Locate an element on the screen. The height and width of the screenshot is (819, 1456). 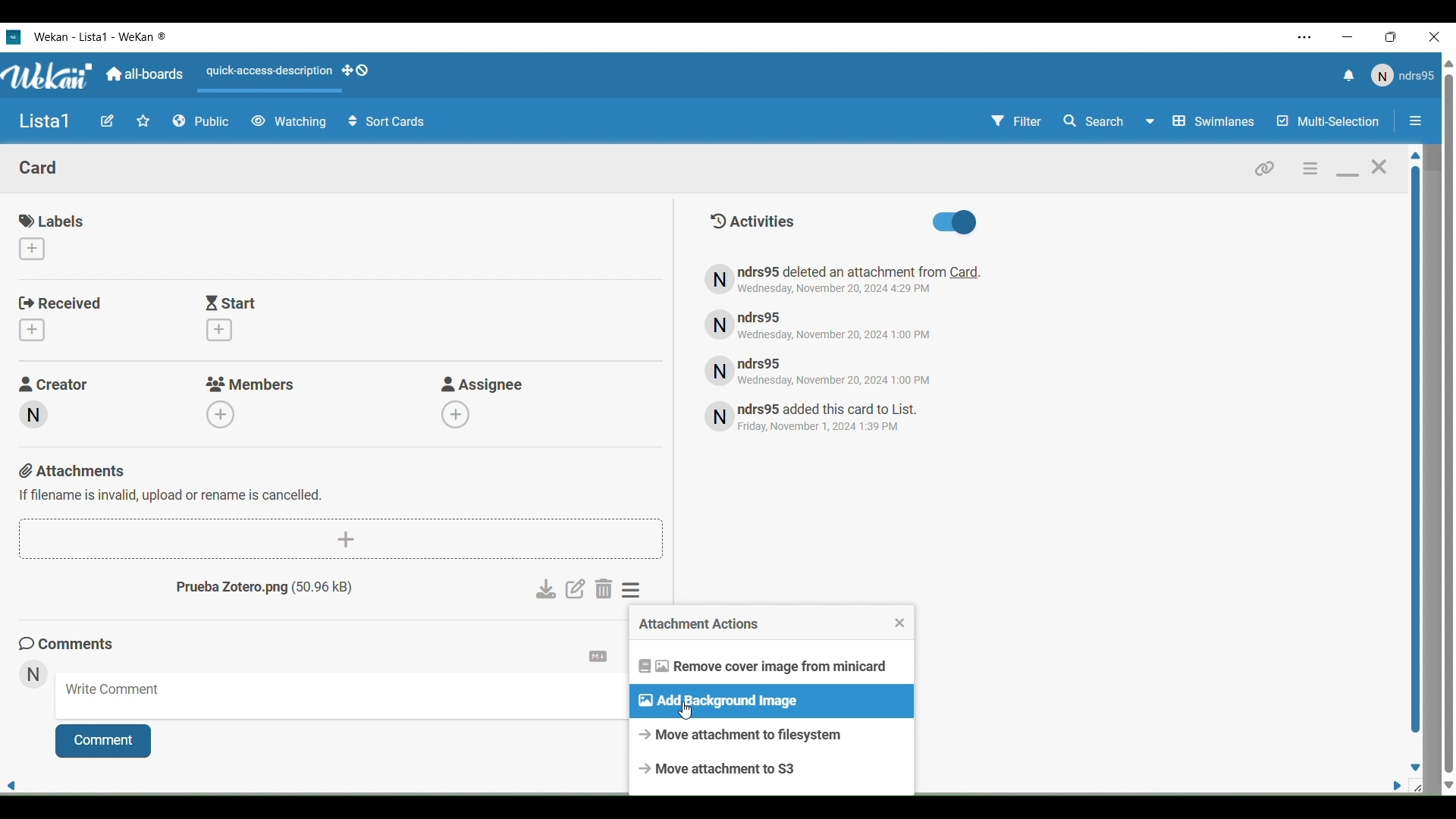
Sort Cells is located at coordinates (387, 122).